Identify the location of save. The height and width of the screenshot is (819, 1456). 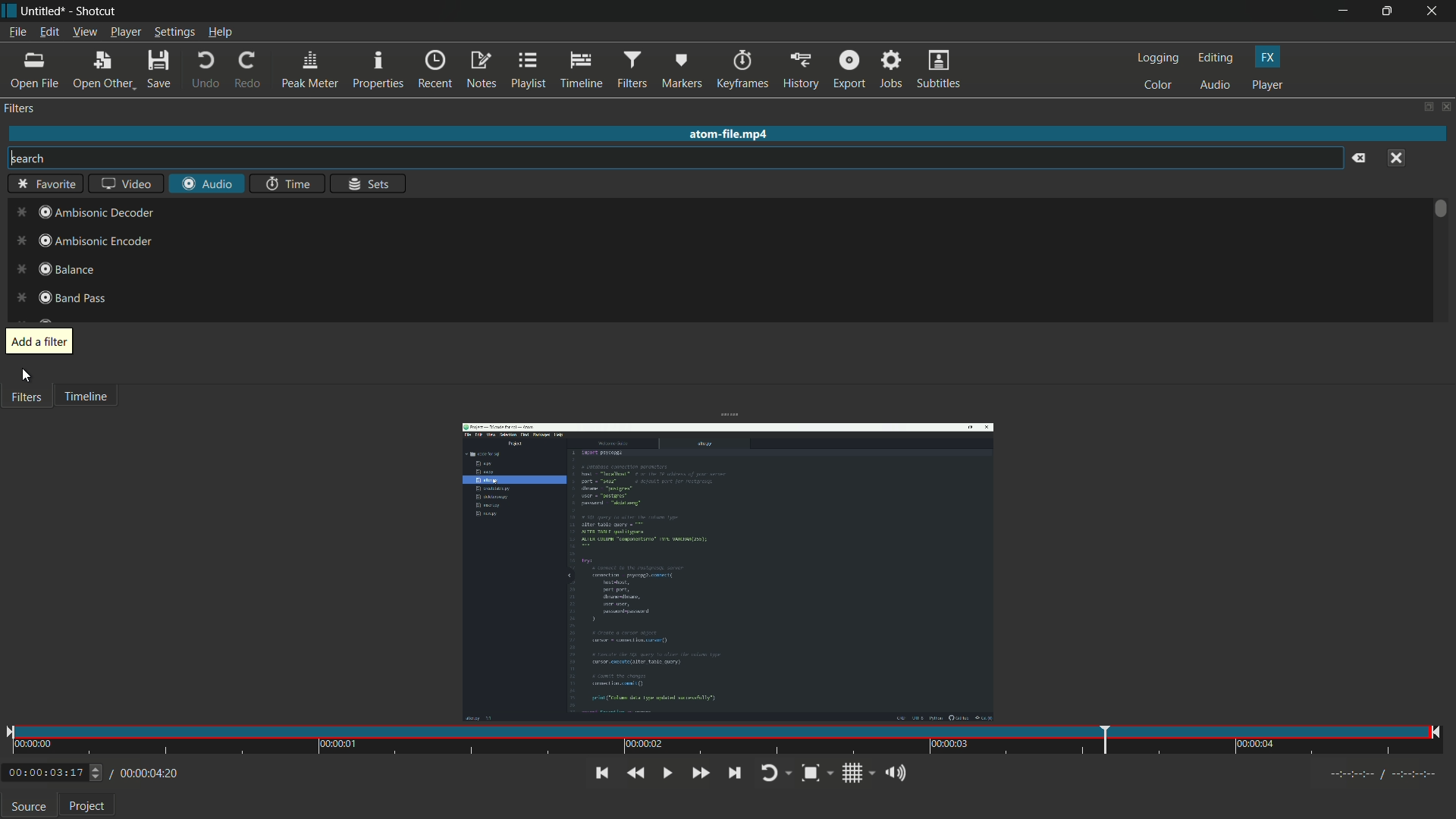
(158, 67).